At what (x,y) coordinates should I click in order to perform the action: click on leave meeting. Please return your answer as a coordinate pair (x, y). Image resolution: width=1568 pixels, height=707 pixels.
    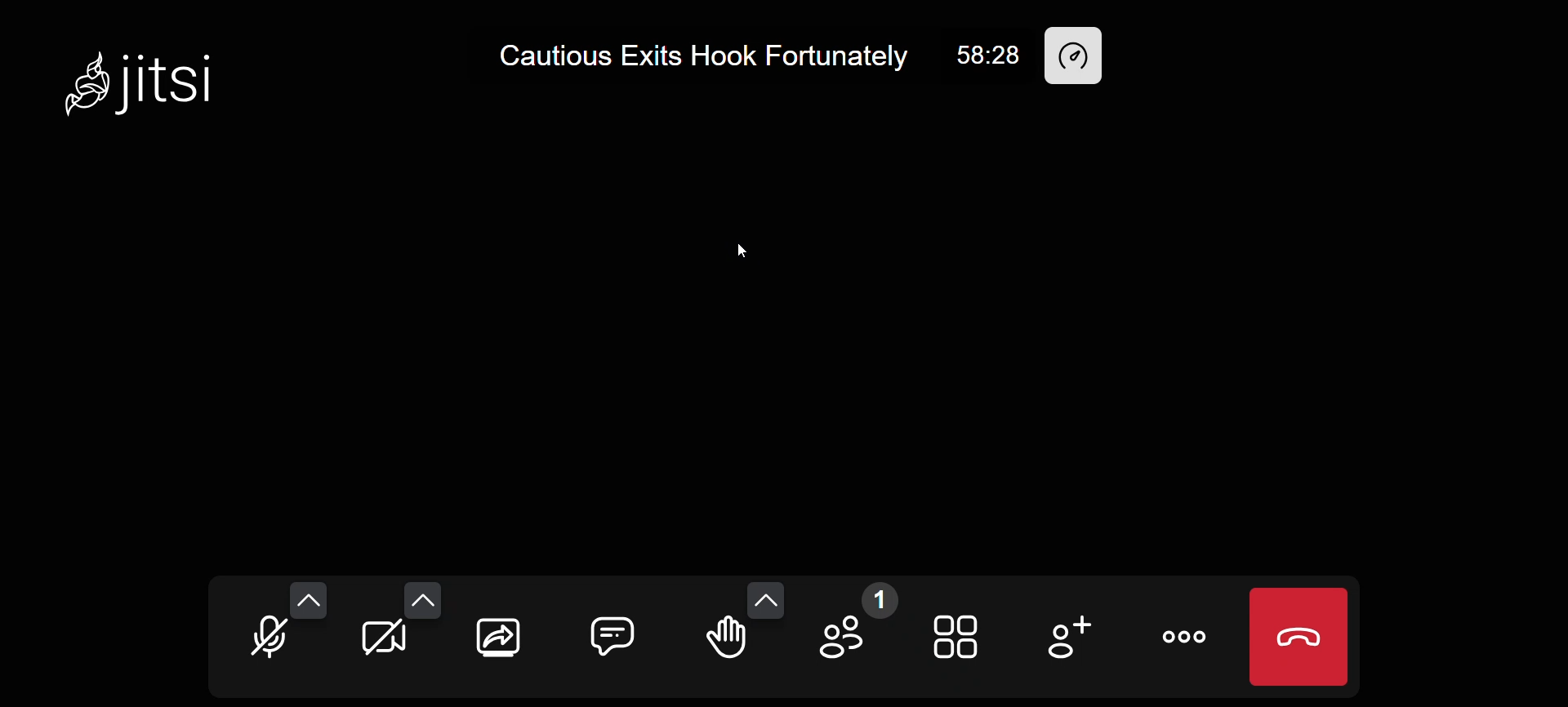
    Looking at the image, I should click on (1298, 635).